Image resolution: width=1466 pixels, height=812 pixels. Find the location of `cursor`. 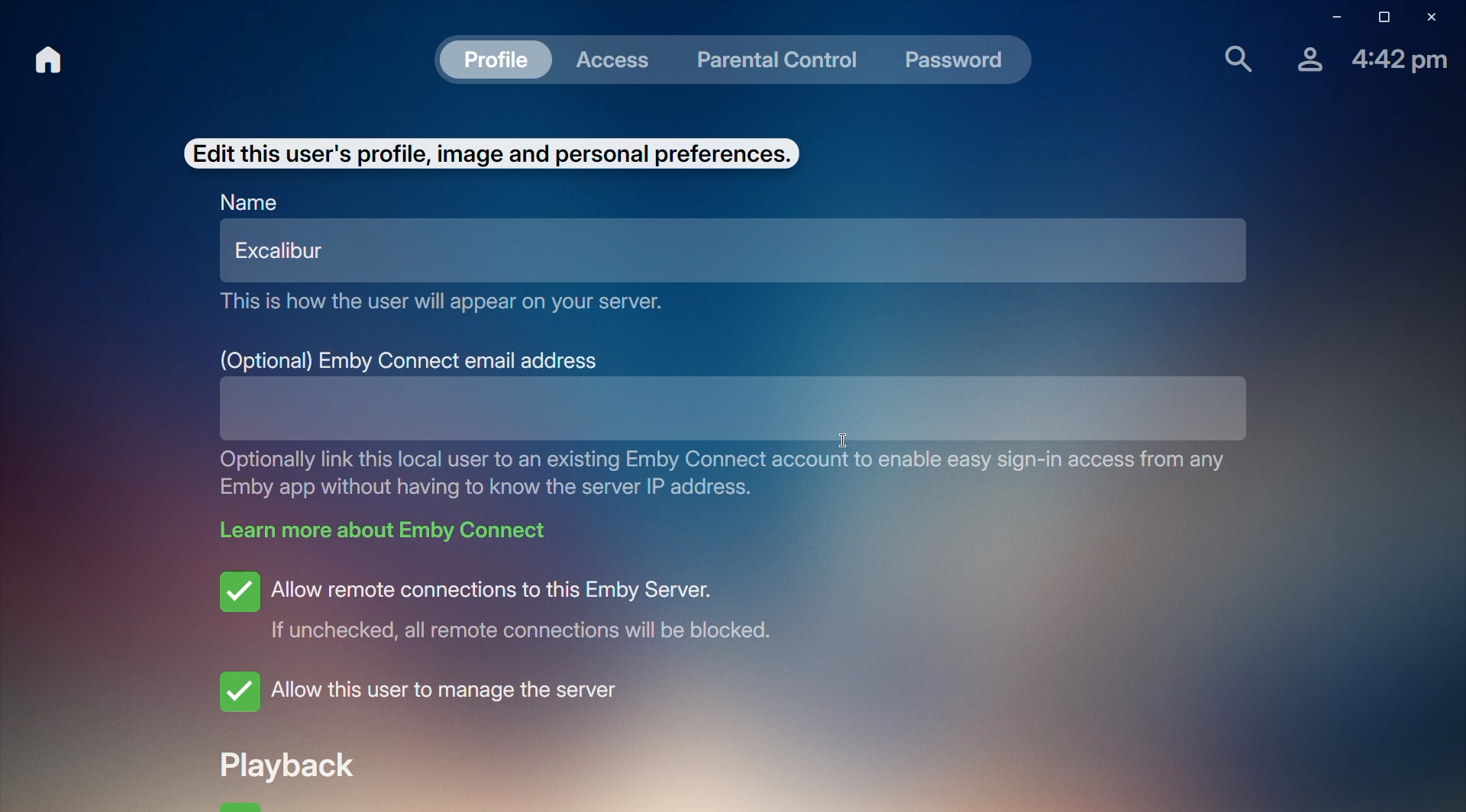

cursor is located at coordinates (846, 445).